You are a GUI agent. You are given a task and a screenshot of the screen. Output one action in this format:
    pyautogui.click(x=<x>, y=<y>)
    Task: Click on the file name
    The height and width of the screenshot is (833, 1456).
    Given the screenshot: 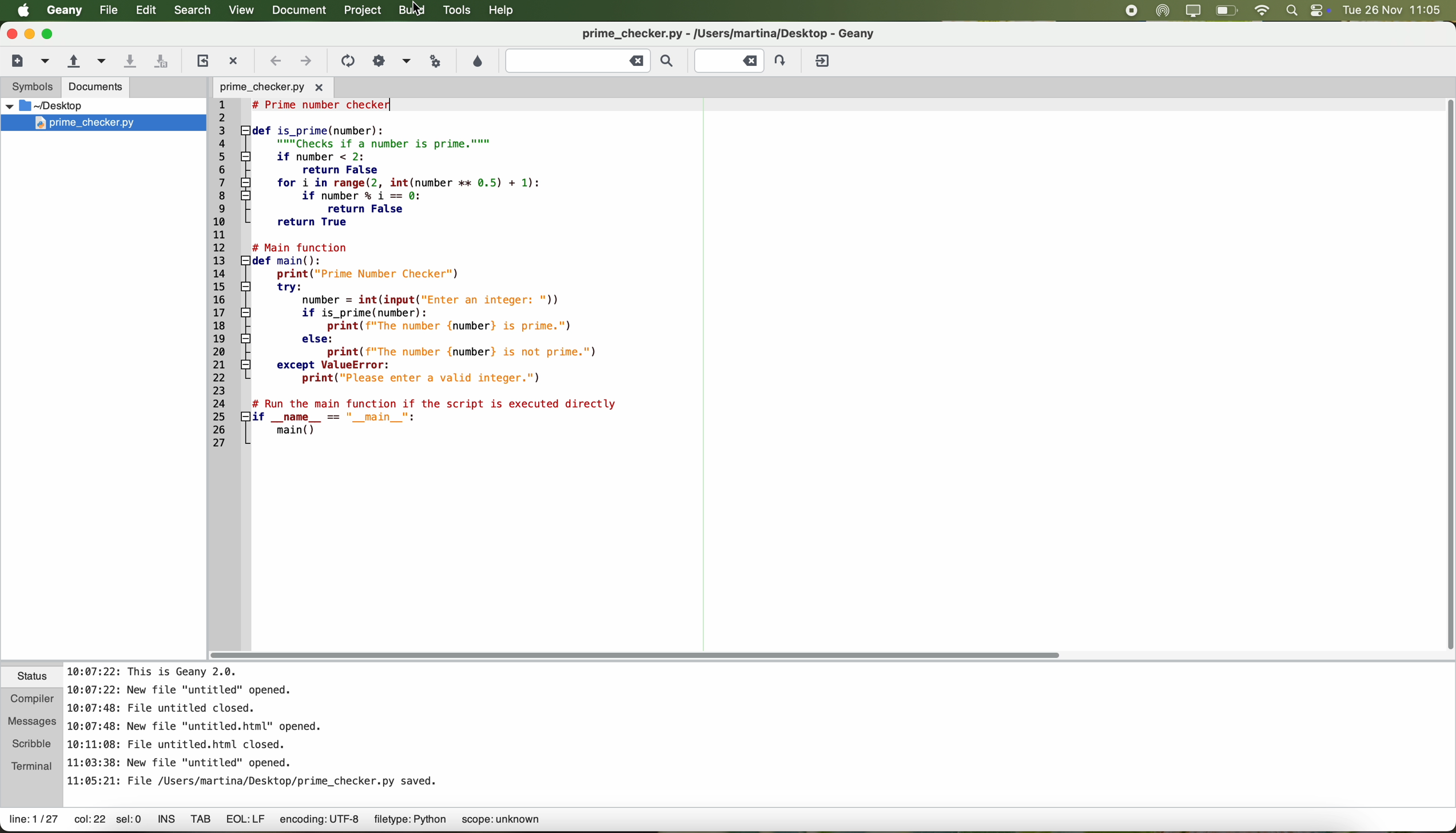 What is the action you would take?
    pyautogui.click(x=752, y=33)
    